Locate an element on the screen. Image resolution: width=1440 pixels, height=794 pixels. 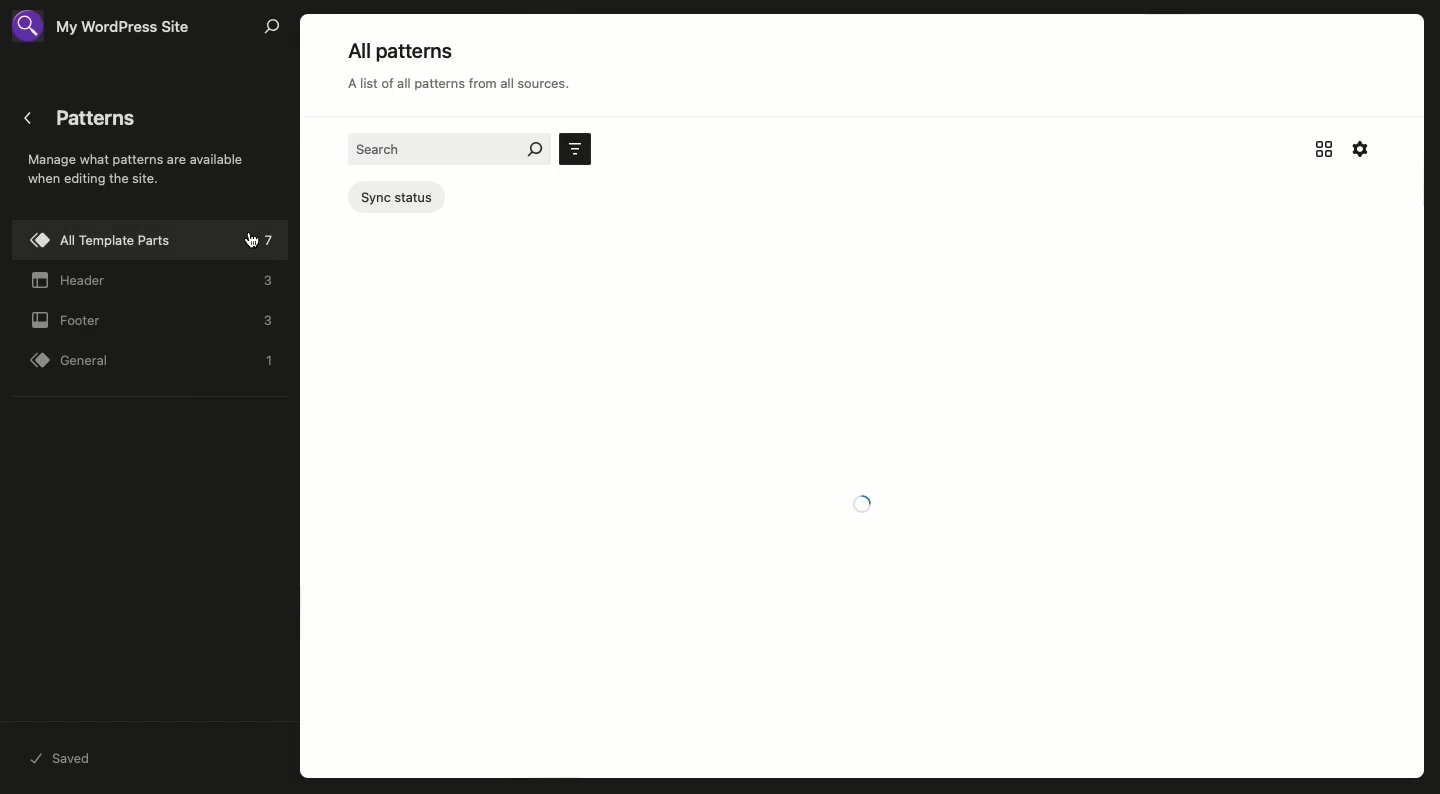
Grid is located at coordinates (1325, 149).